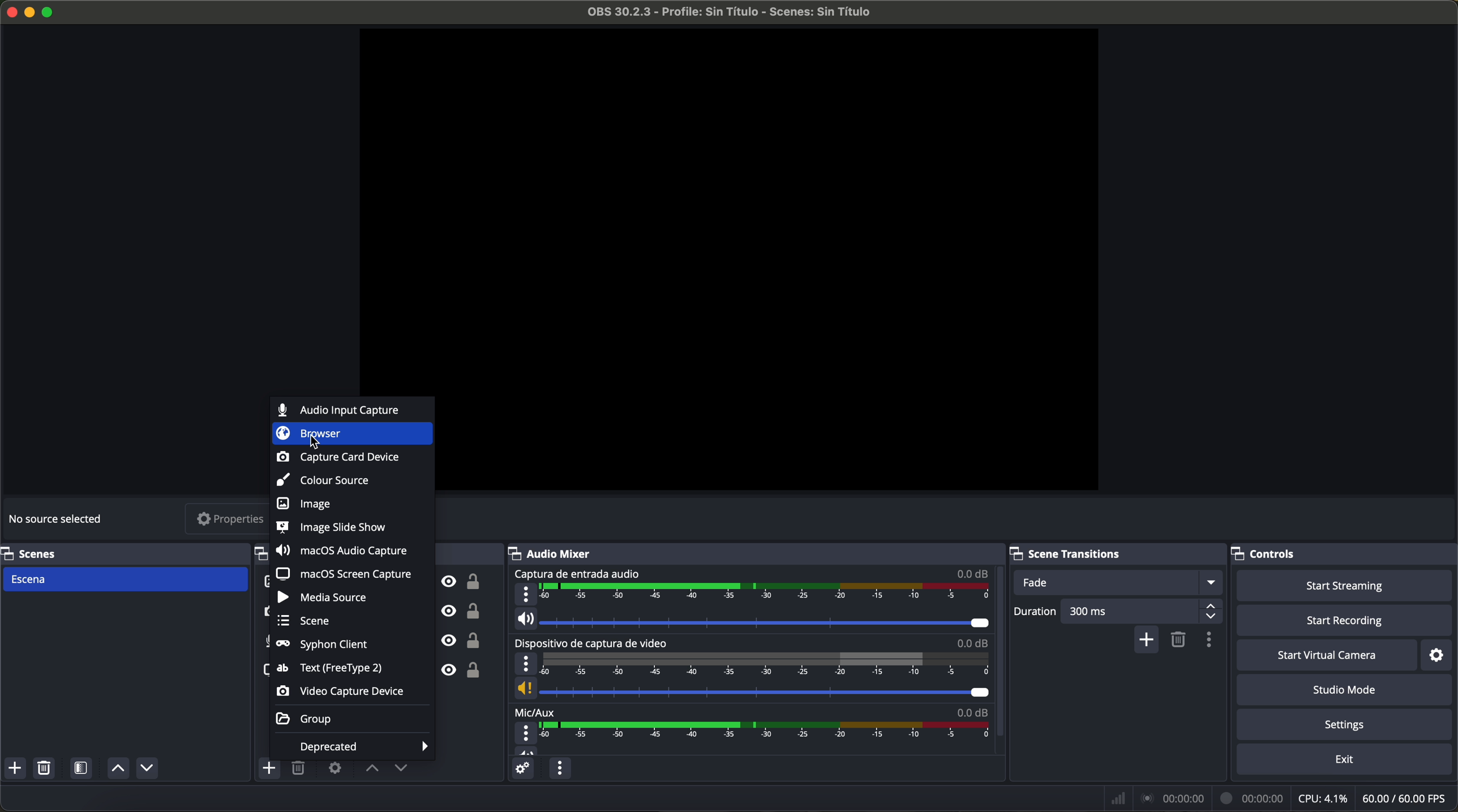 This screenshot has width=1458, height=812. What do you see at coordinates (323, 481) in the screenshot?
I see `colour source` at bounding box center [323, 481].